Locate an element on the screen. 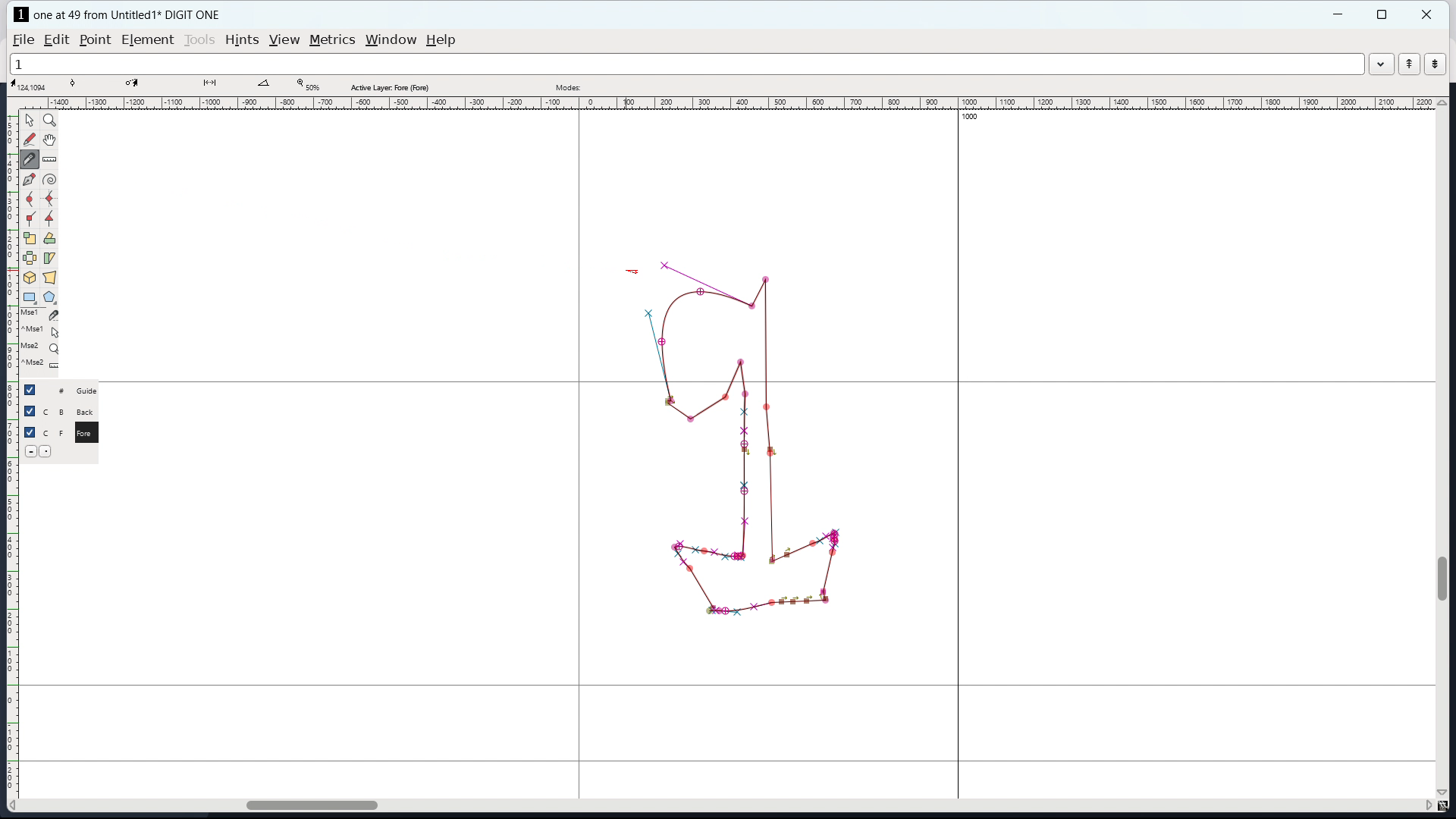 This screenshot has height=819, width=1456. previous word in the current word list is located at coordinates (1409, 64).